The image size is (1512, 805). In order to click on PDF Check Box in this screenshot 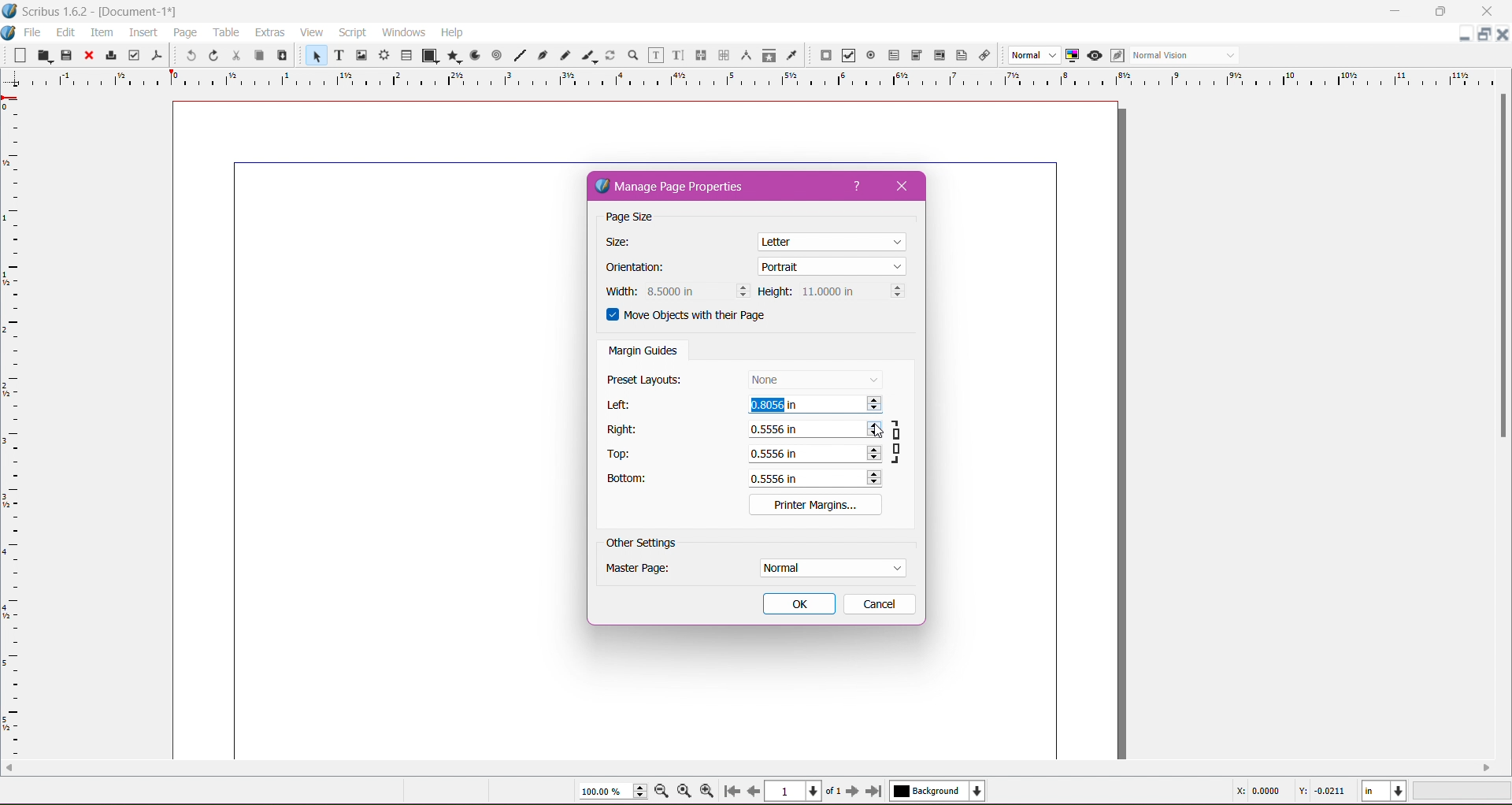, I will do `click(849, 56)`.